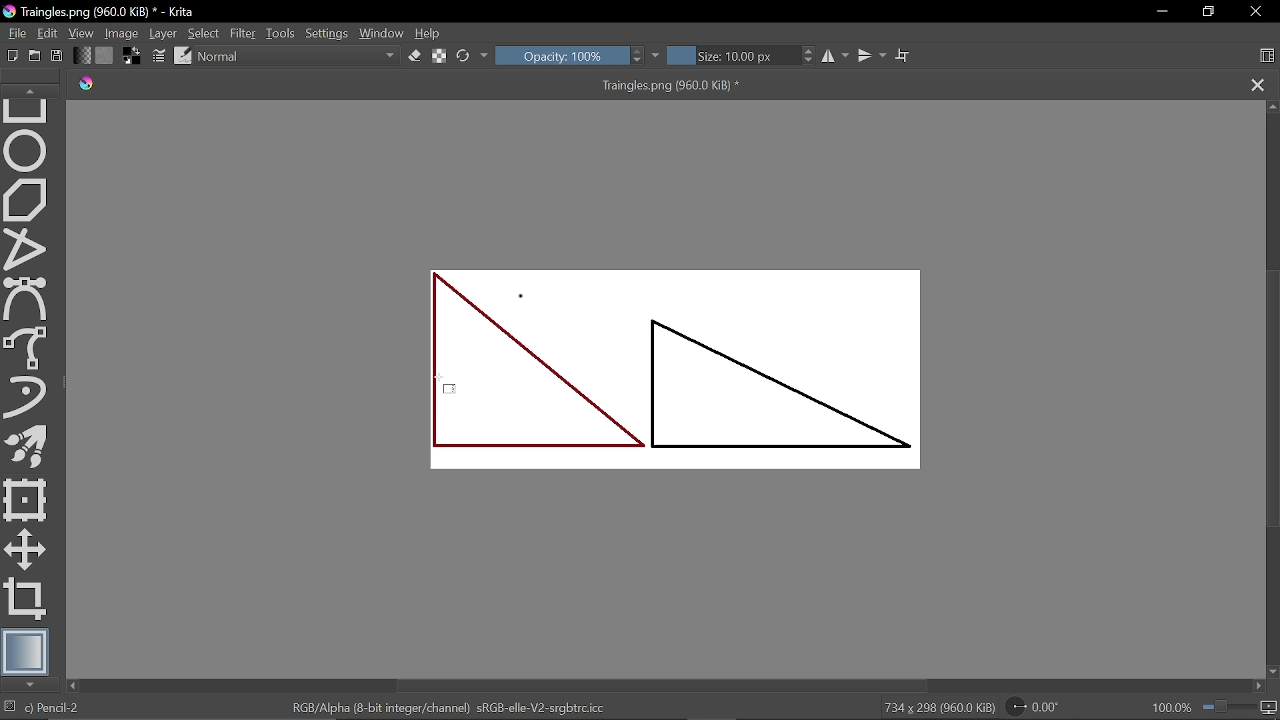 This screenshot has height=720, width=1280. What do you see at coordinates (433, 33) in the screenshot?
I see `Help` at bounding box center [433, 33].